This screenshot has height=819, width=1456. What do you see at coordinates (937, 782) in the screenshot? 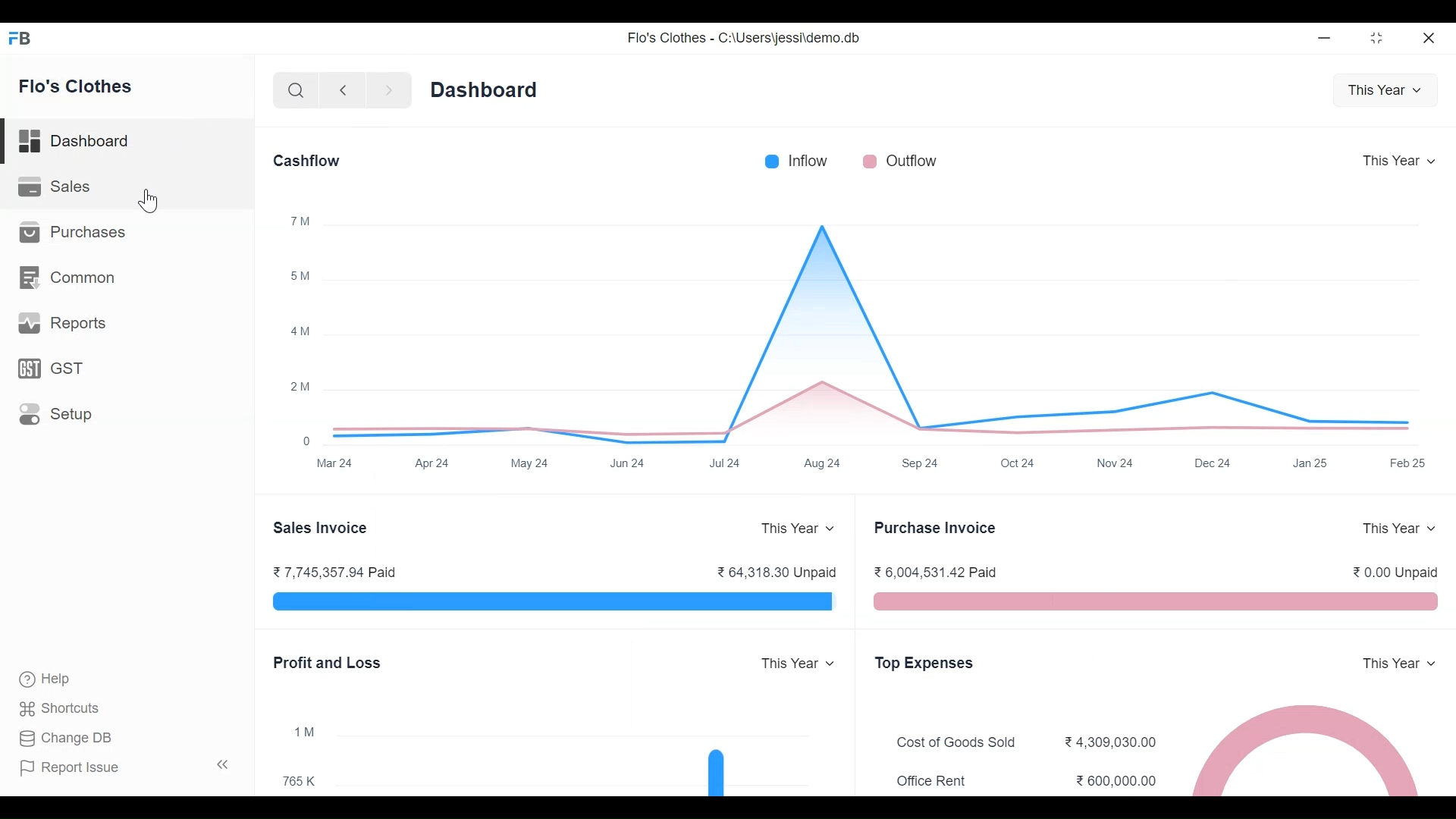
I see `Office Rent` at bounding box center [937, 782].